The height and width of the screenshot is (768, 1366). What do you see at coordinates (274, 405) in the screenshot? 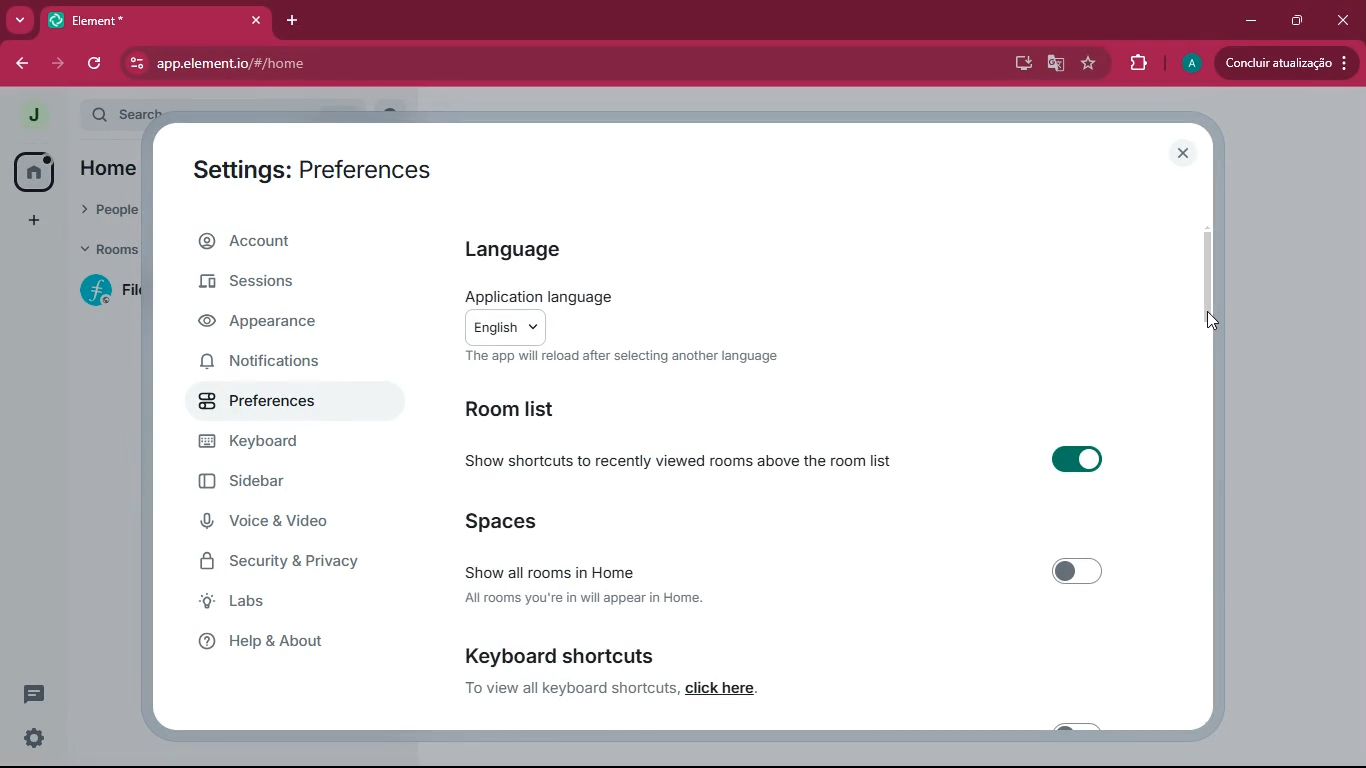
I see `preferences` at bounding box center [274, 405].